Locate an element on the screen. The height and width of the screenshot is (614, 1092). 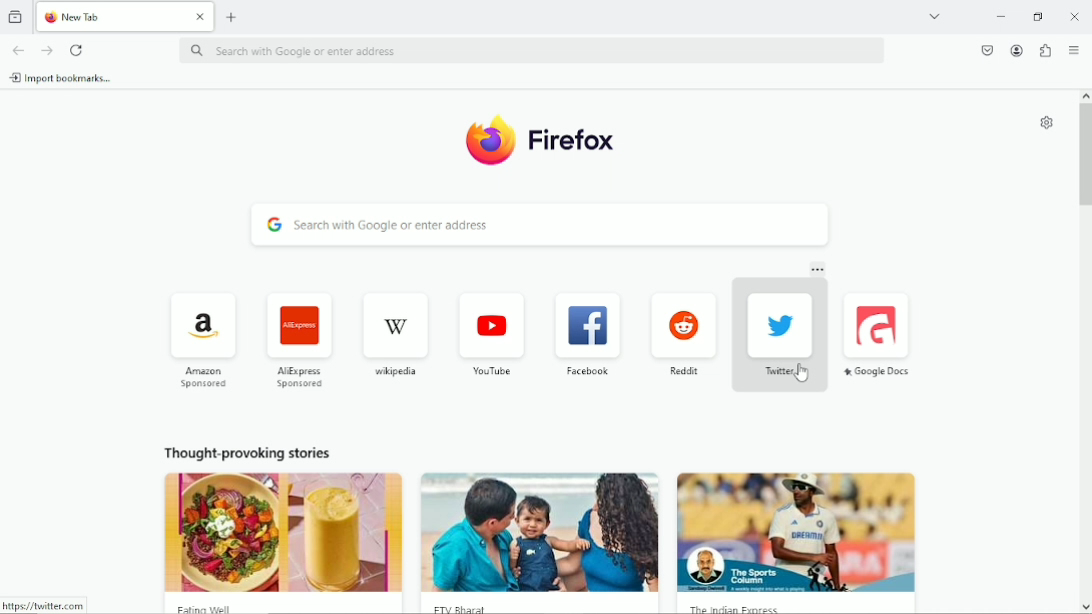
search with Google or enter address is located at coordinates (530, 52).